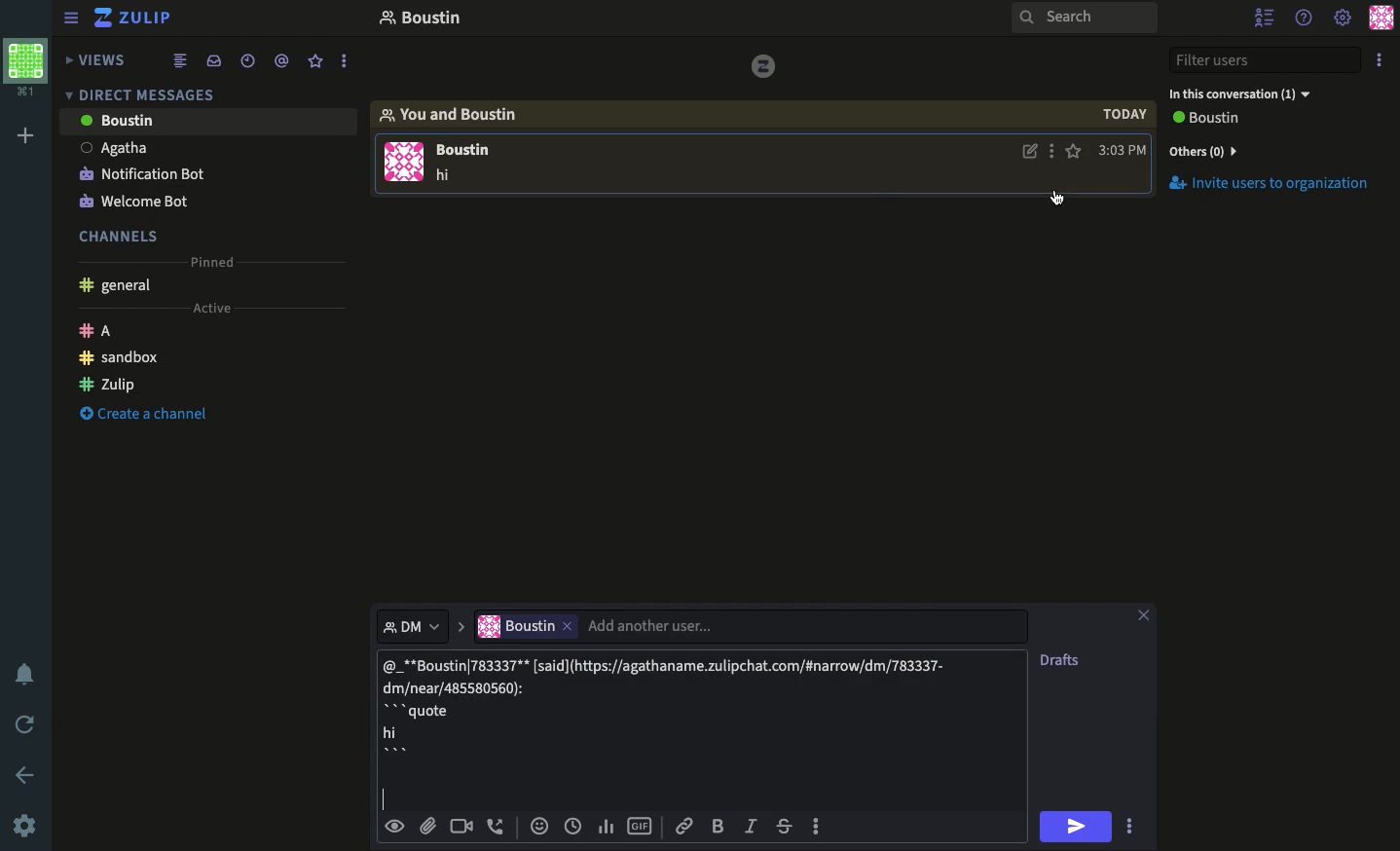  What do you see at coordinates (23, 68) in the screenshot?
I see `Workspace profile` at bounding box center [23, 68].